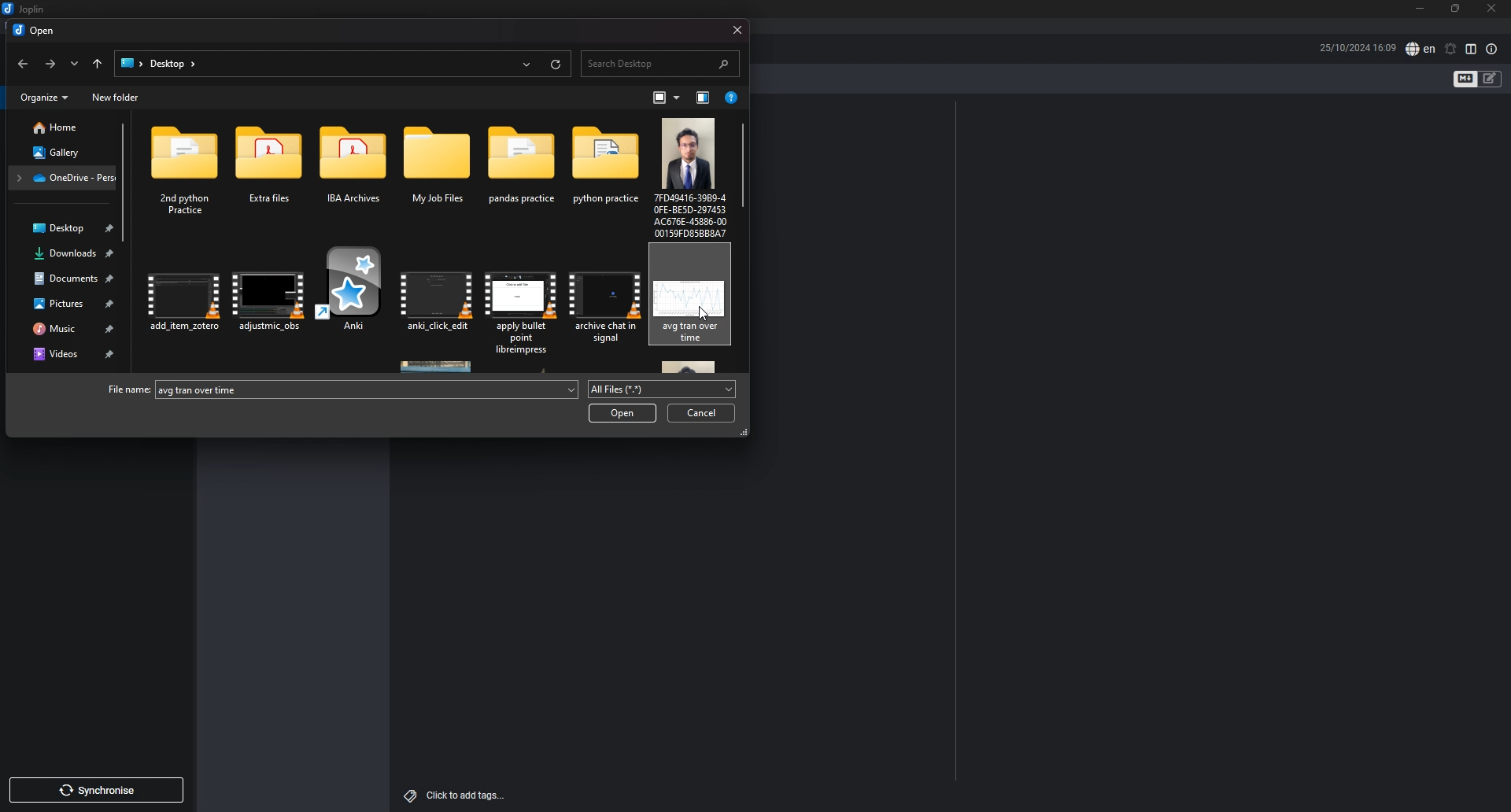 Image resolution: width=1511 pixels, height=812 pixels. I want to click on pandas practice, so click(521, 174).